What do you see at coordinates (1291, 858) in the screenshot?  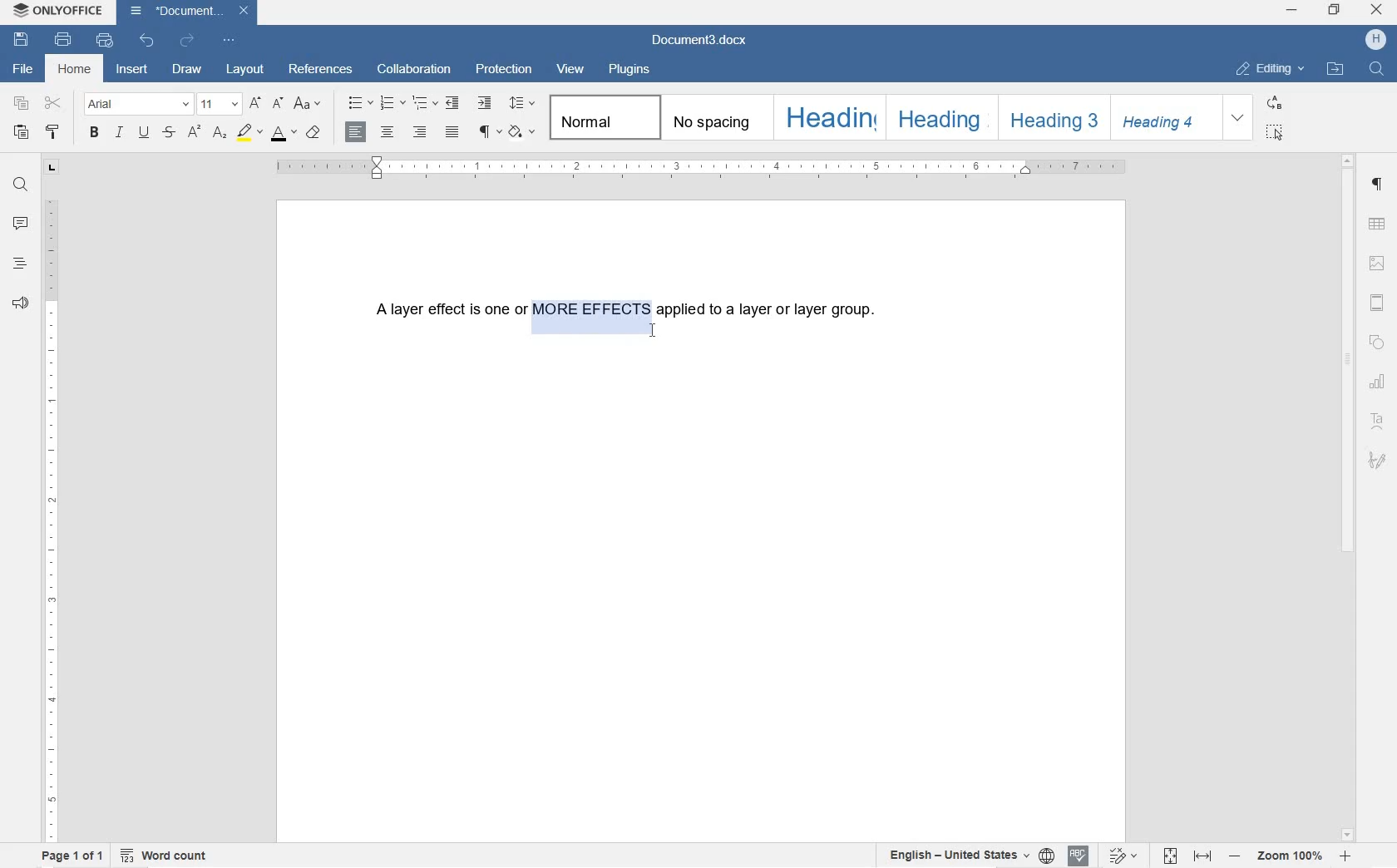 I see `ZOOM IN OR OUT` at bounding box center [1291, 858].